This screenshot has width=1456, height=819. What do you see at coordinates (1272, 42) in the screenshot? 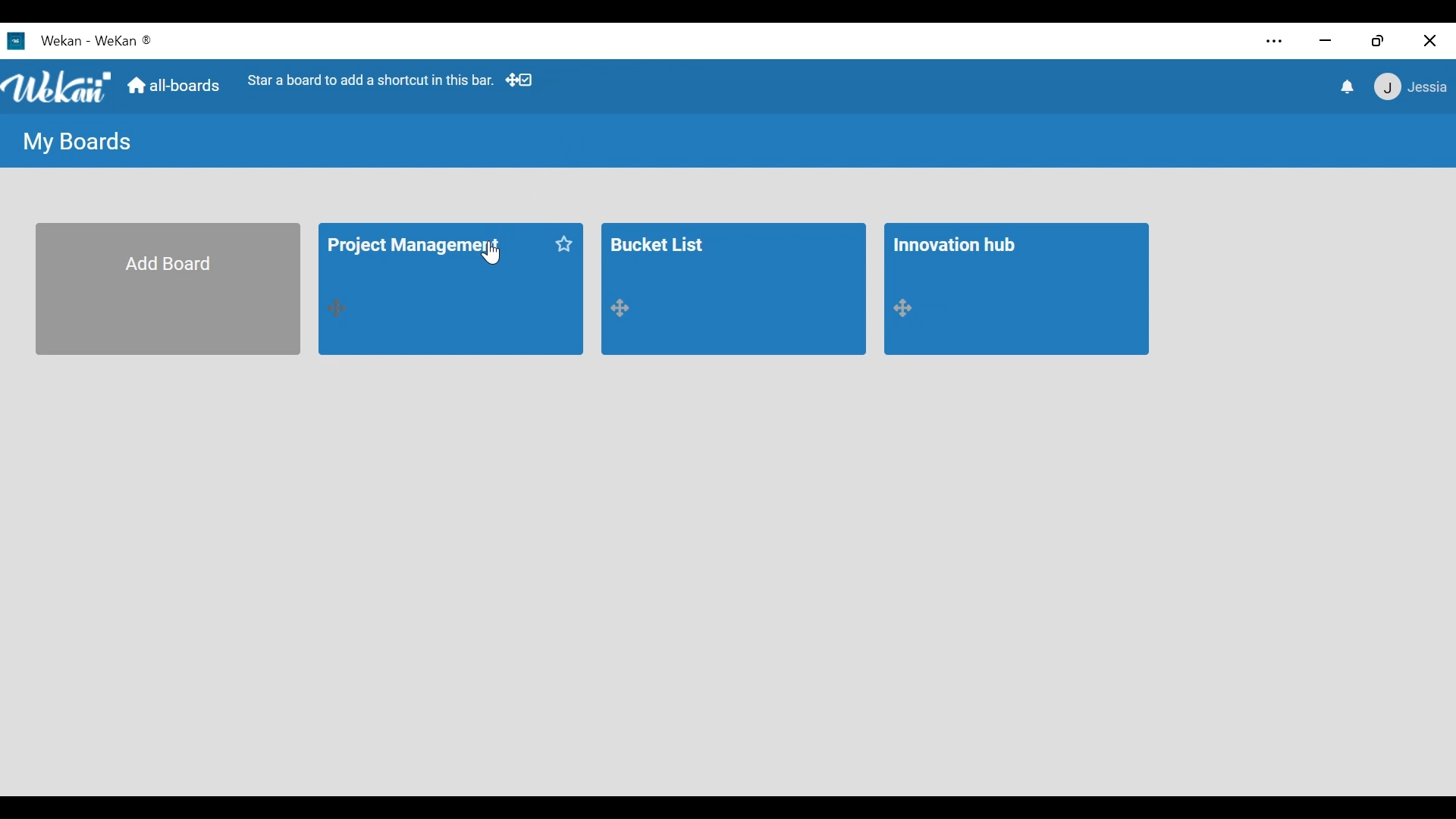
I see `settings and more` at bounding box center [1272, 42].